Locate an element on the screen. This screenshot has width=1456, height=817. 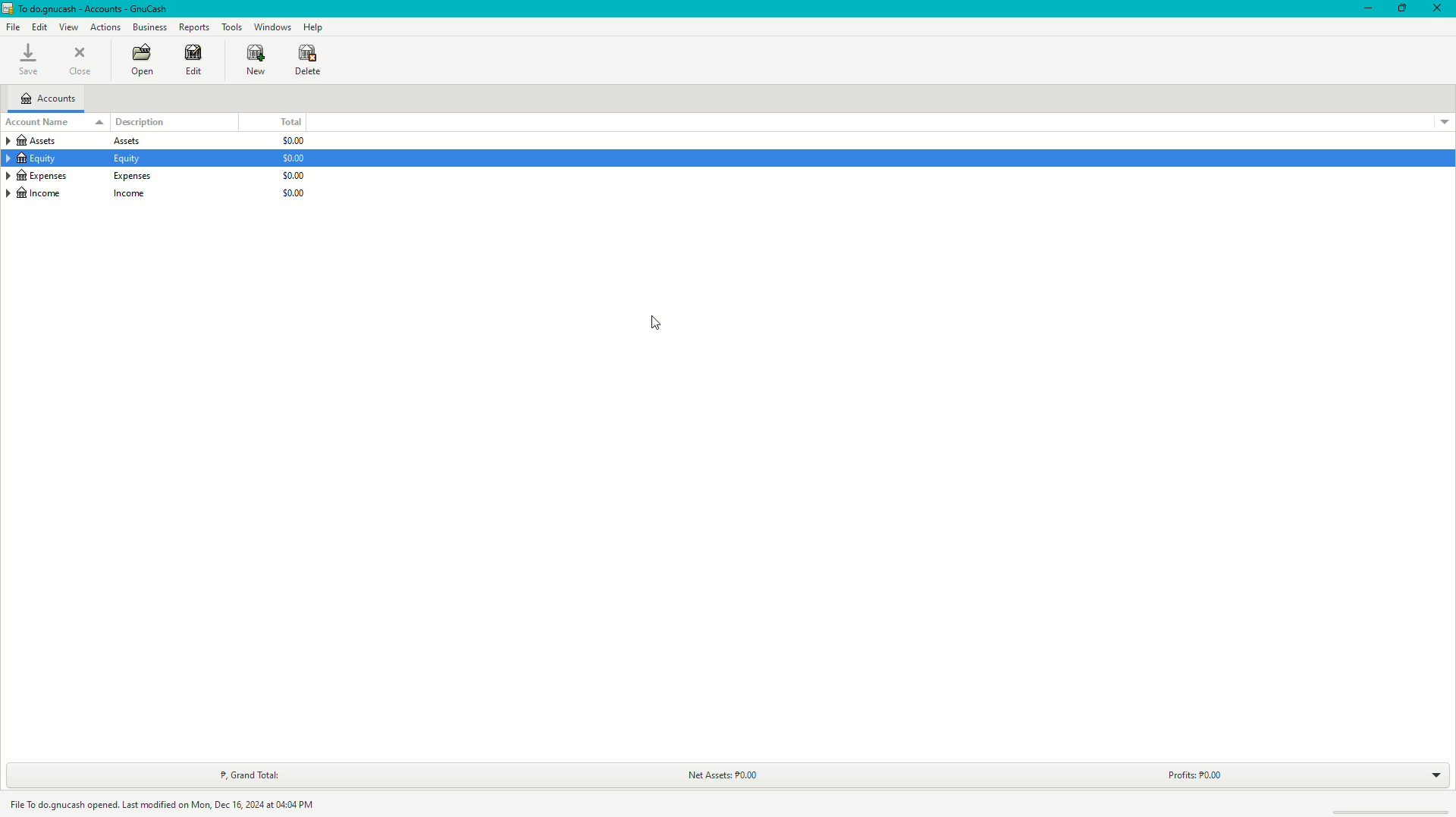
$0 is located at coordinates (291, 141).